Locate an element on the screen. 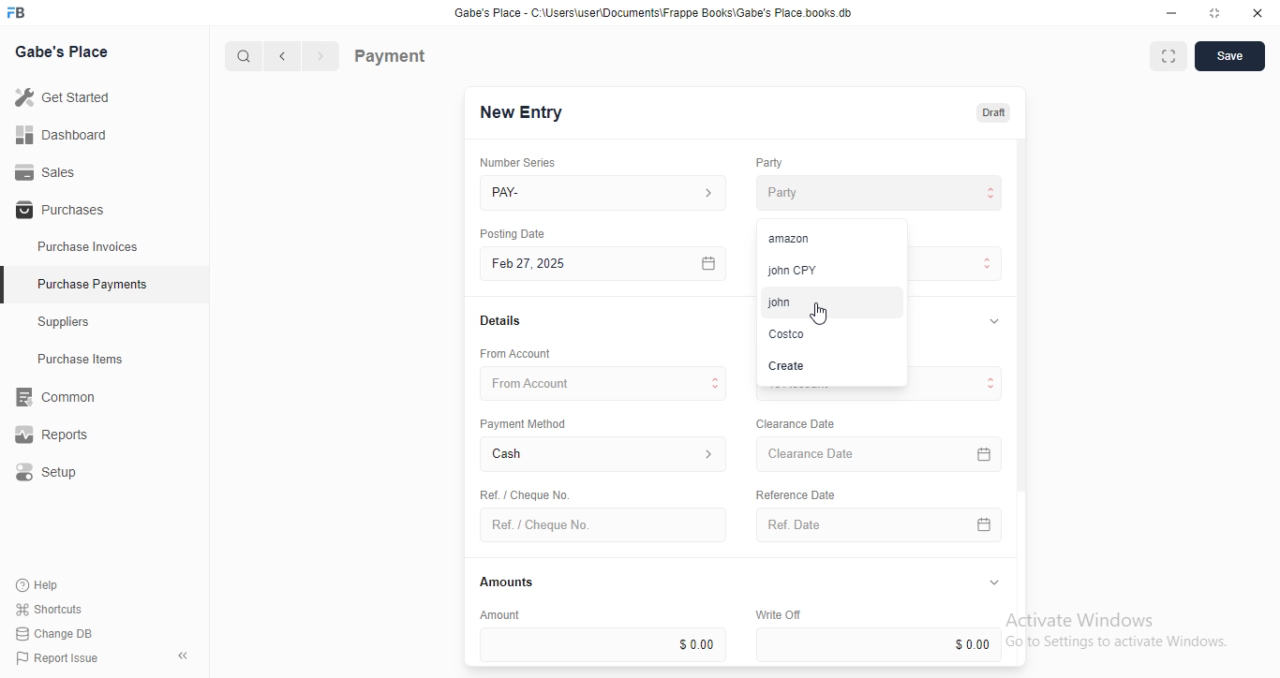  Ref. / Cheque No. is located at coordinates (602, 525).